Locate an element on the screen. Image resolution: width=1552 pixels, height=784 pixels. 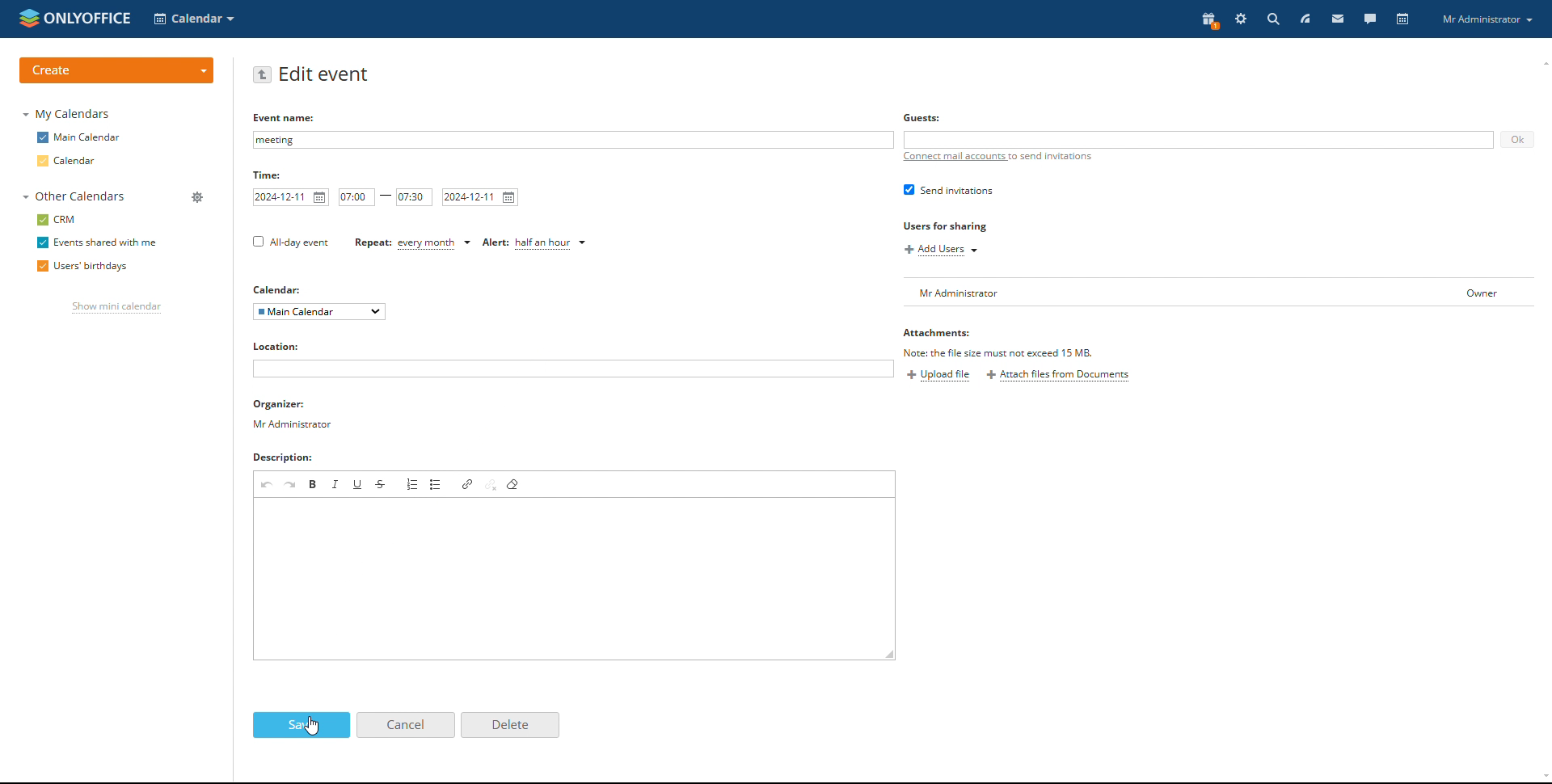
all-day event checkbox is located at coordinates (289, 242).